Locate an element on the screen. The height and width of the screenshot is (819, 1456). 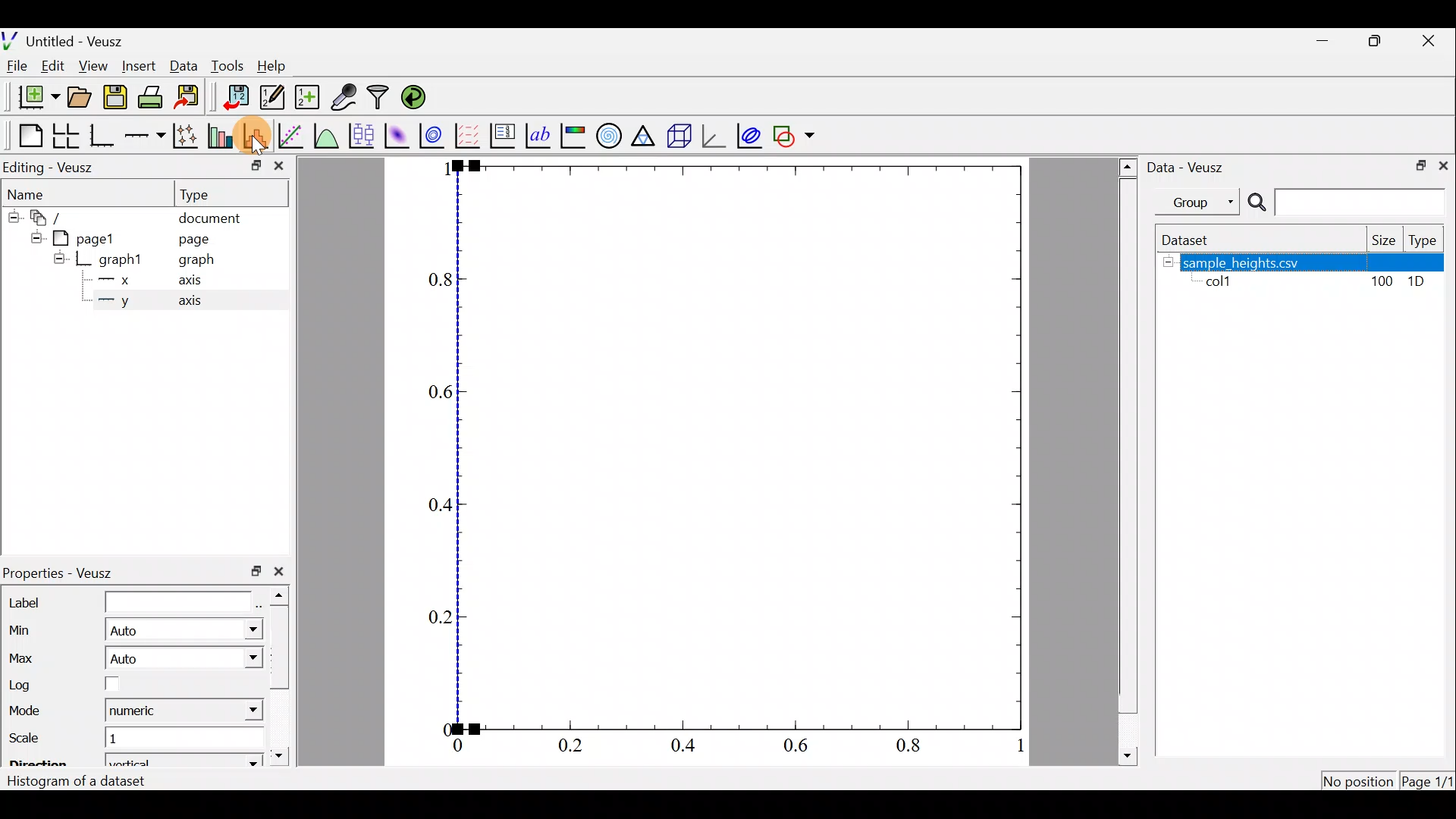
[No position is located at coordinates (1360, 780).